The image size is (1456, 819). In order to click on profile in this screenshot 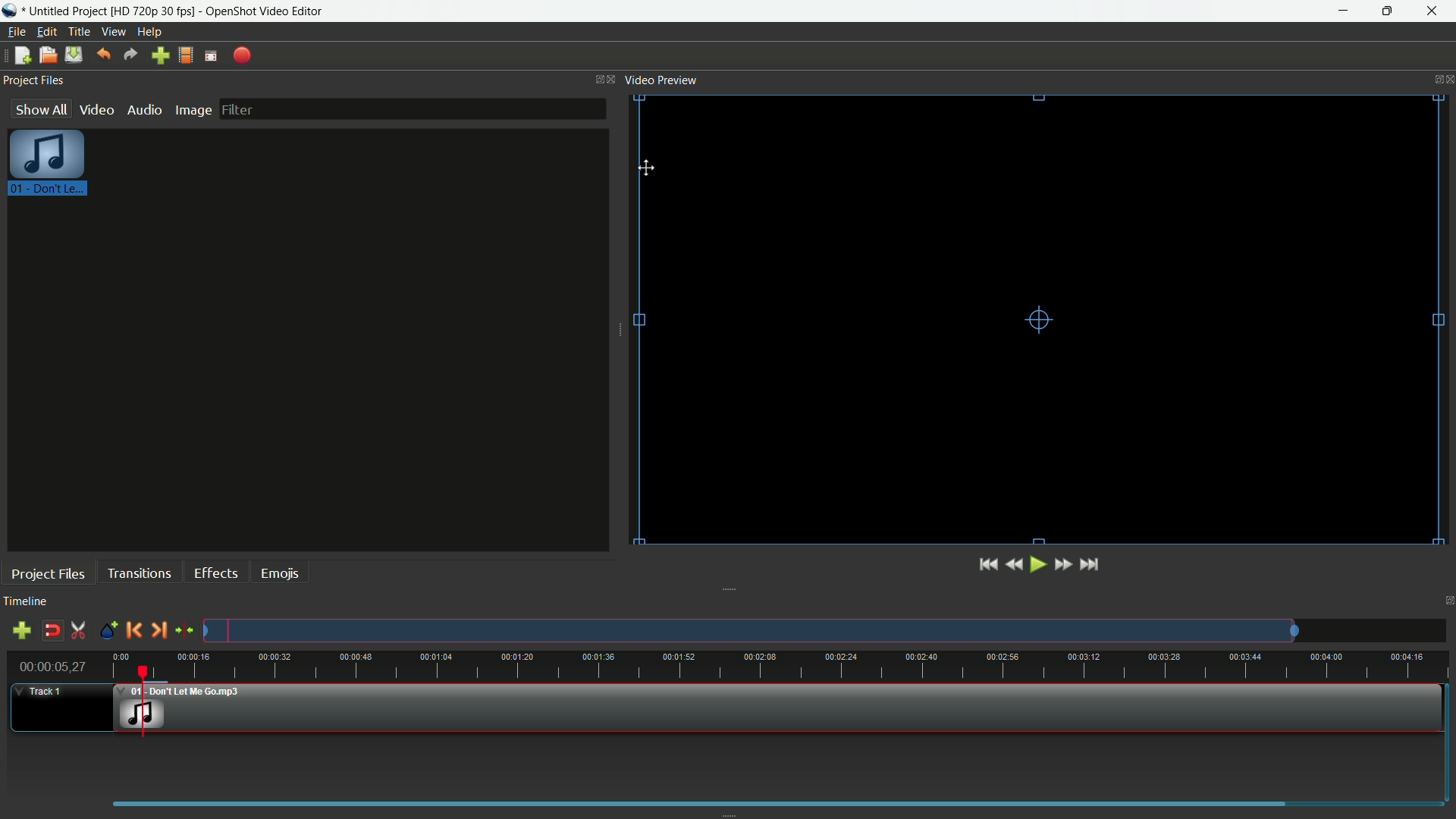, I will do `click(153, 11)`.